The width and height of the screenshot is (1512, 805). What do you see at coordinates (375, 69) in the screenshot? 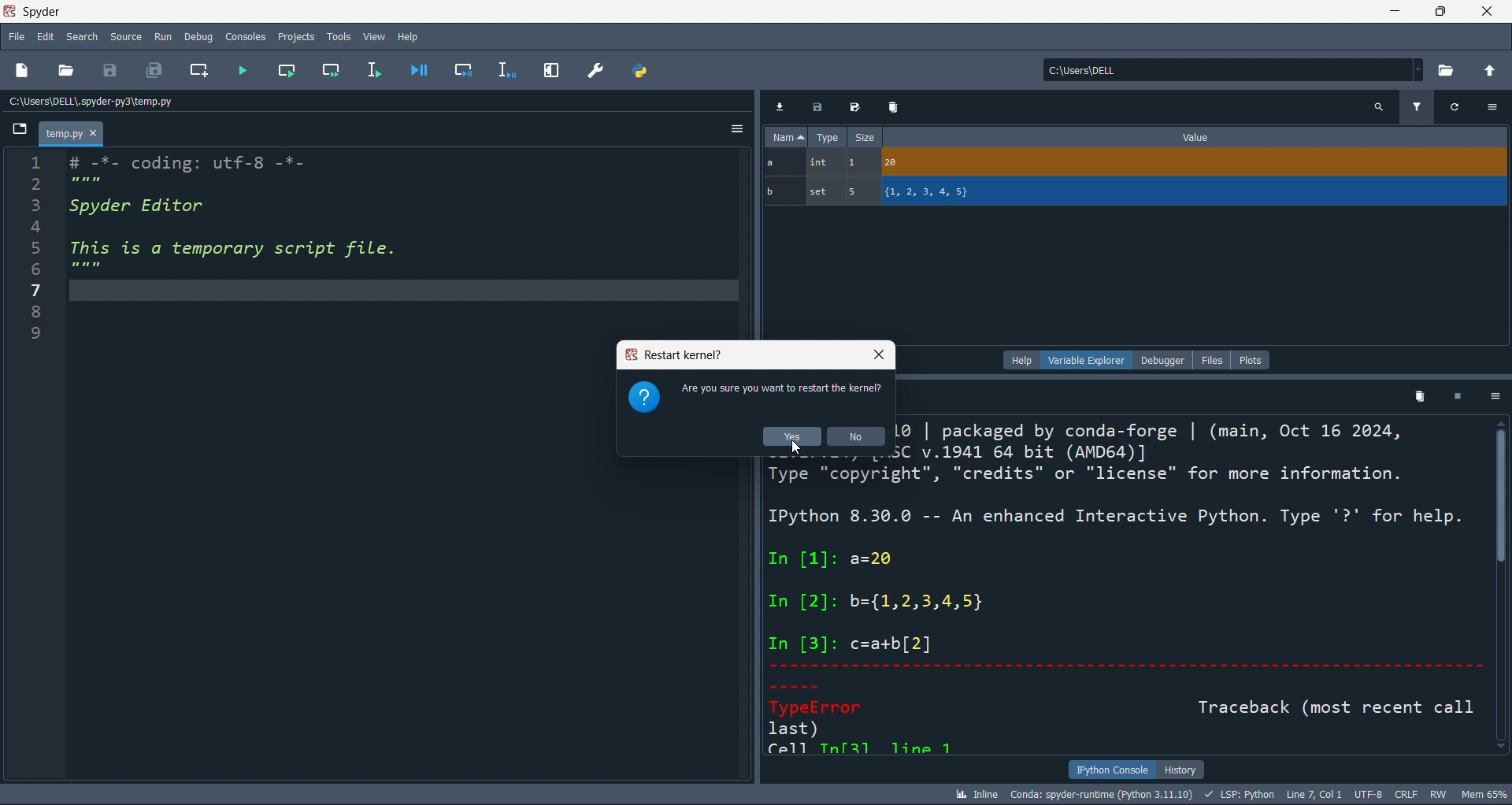
I see `run line` at bounding box center [375, 69].